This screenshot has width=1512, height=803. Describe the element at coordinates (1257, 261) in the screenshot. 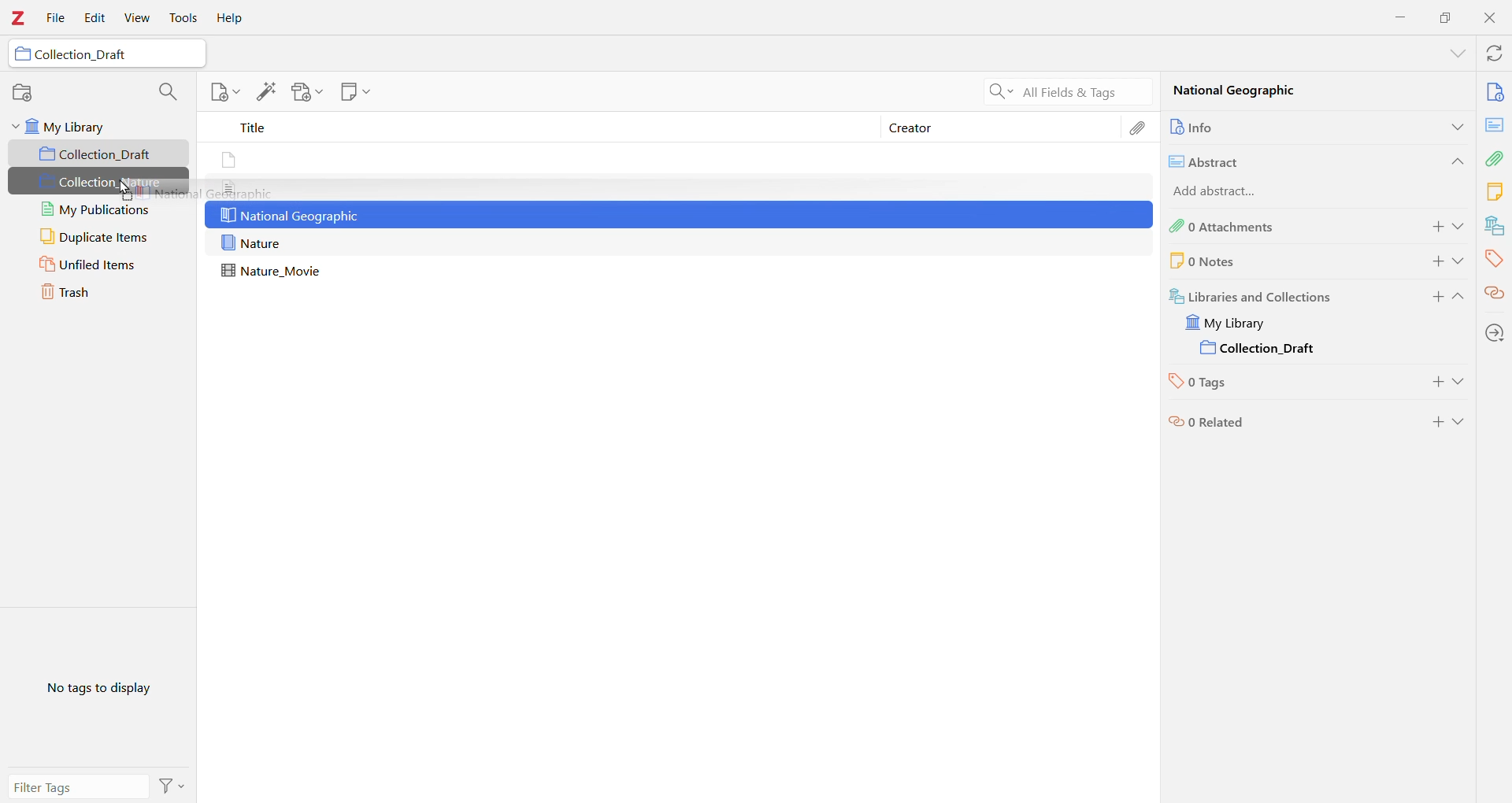

I see `0 Notes` at that location.